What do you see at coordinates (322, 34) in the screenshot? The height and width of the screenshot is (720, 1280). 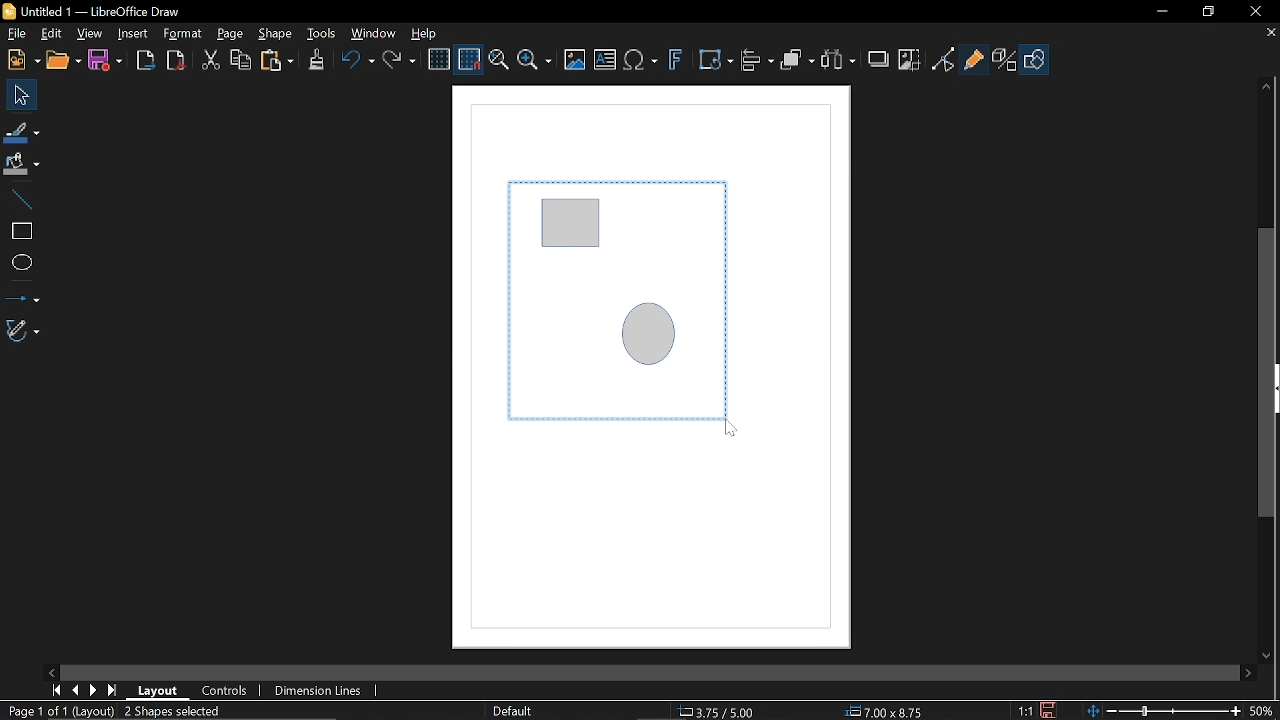 I see `Tools` at bounding box center [322, 34].